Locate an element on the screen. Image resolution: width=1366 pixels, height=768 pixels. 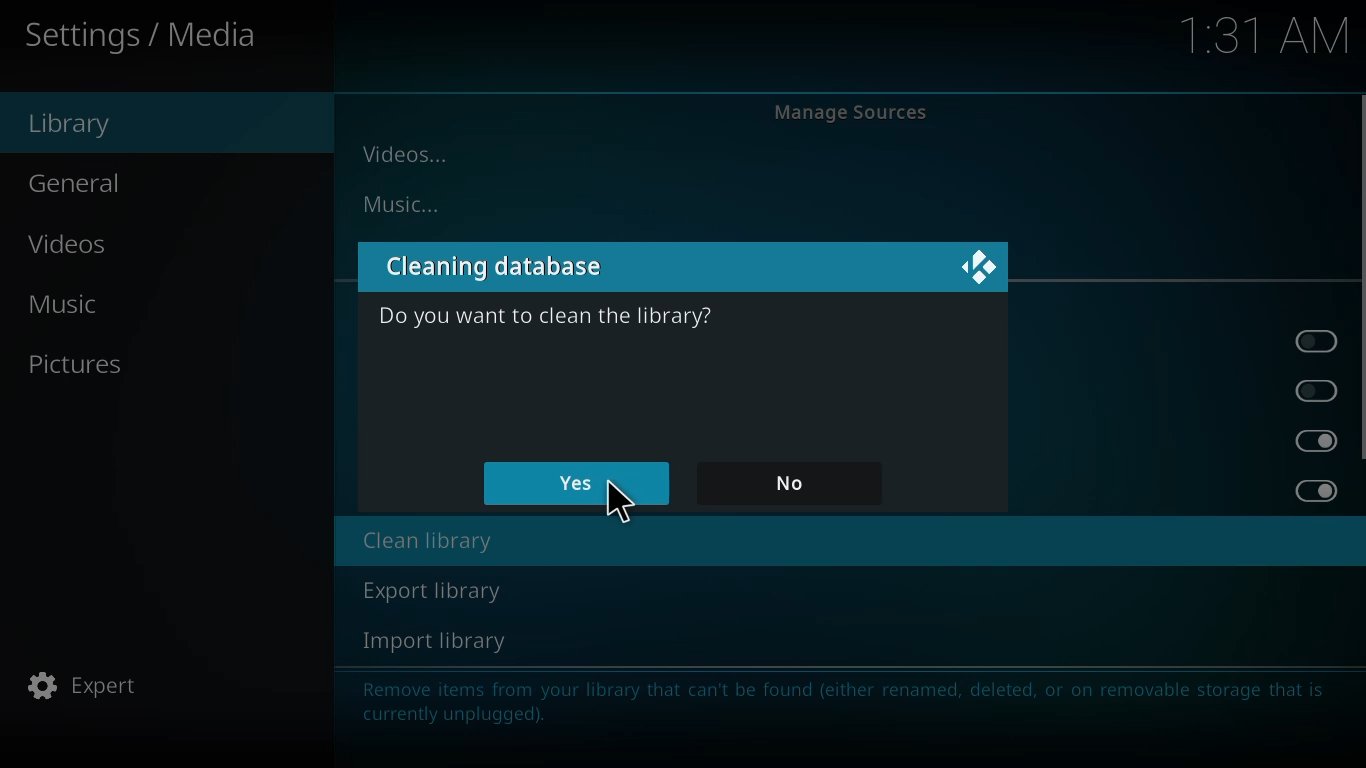
time is located at coordinates (1256, 38).